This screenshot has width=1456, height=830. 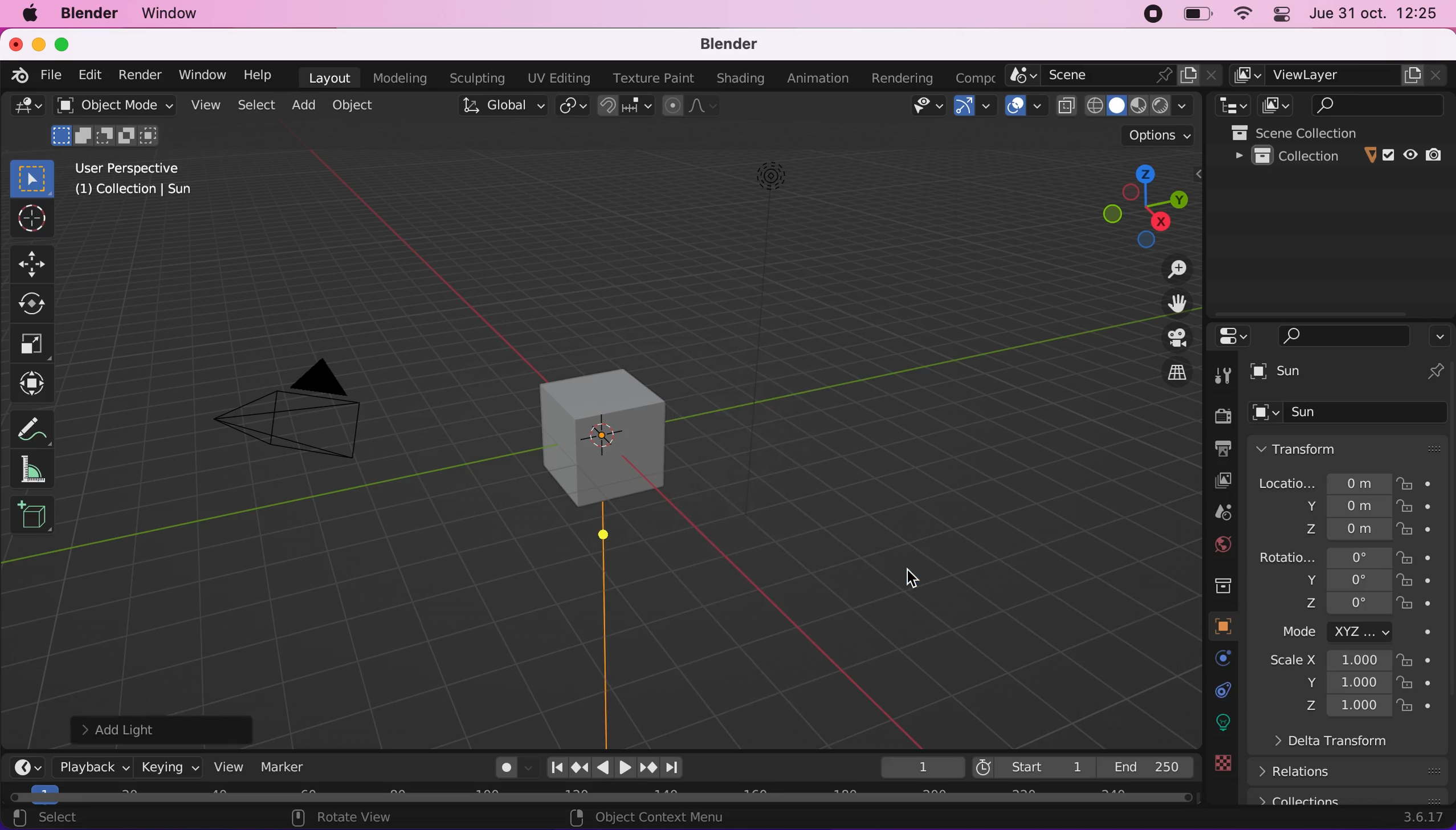 I want to click on zoom in/out, so click(x=1164, y=268).